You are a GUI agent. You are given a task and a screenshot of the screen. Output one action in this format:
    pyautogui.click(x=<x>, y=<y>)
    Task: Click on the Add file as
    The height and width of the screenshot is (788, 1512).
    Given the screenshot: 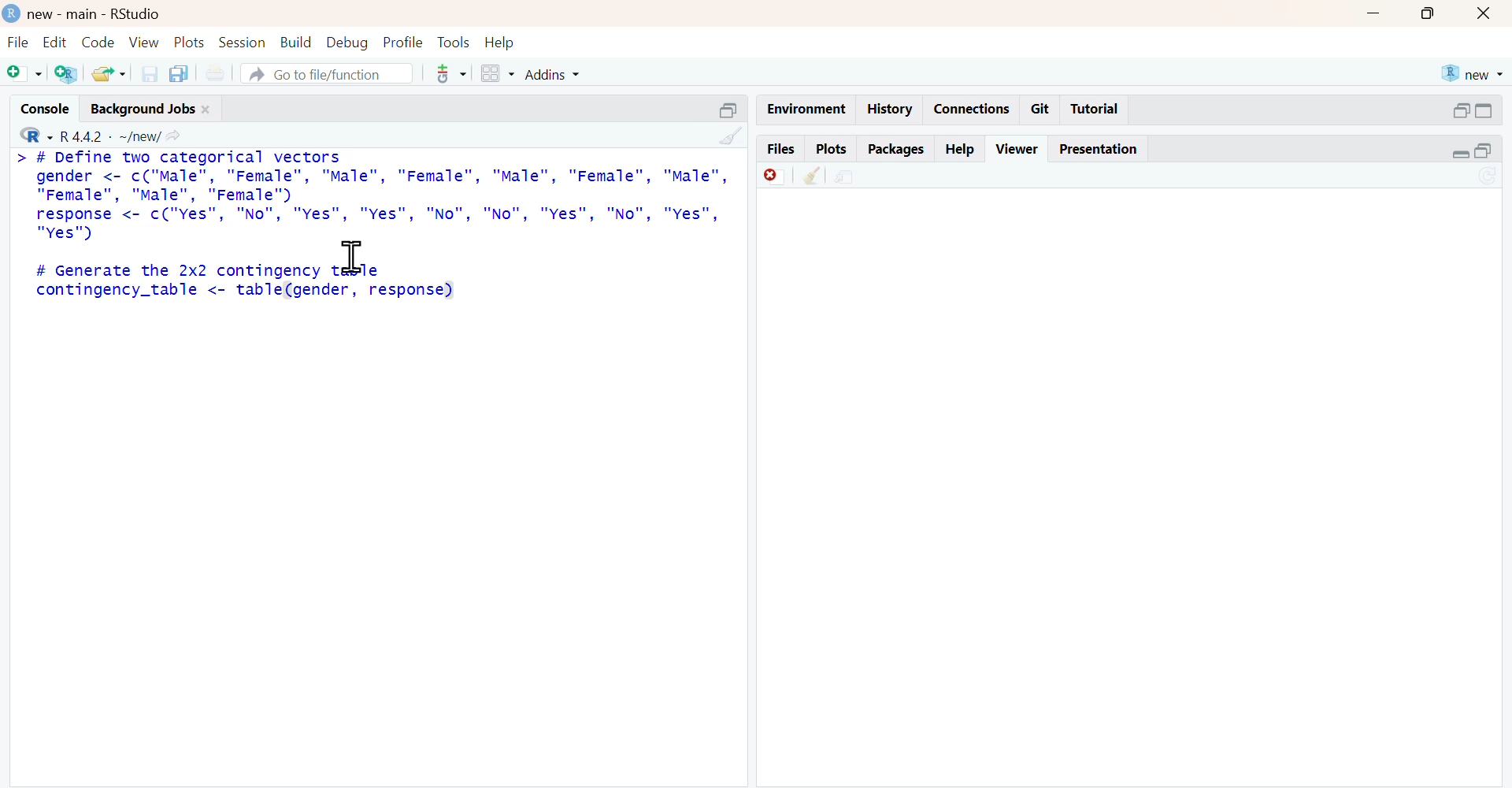 What is the action you would take?
    pyautogui.click(x=24, y=72)
    